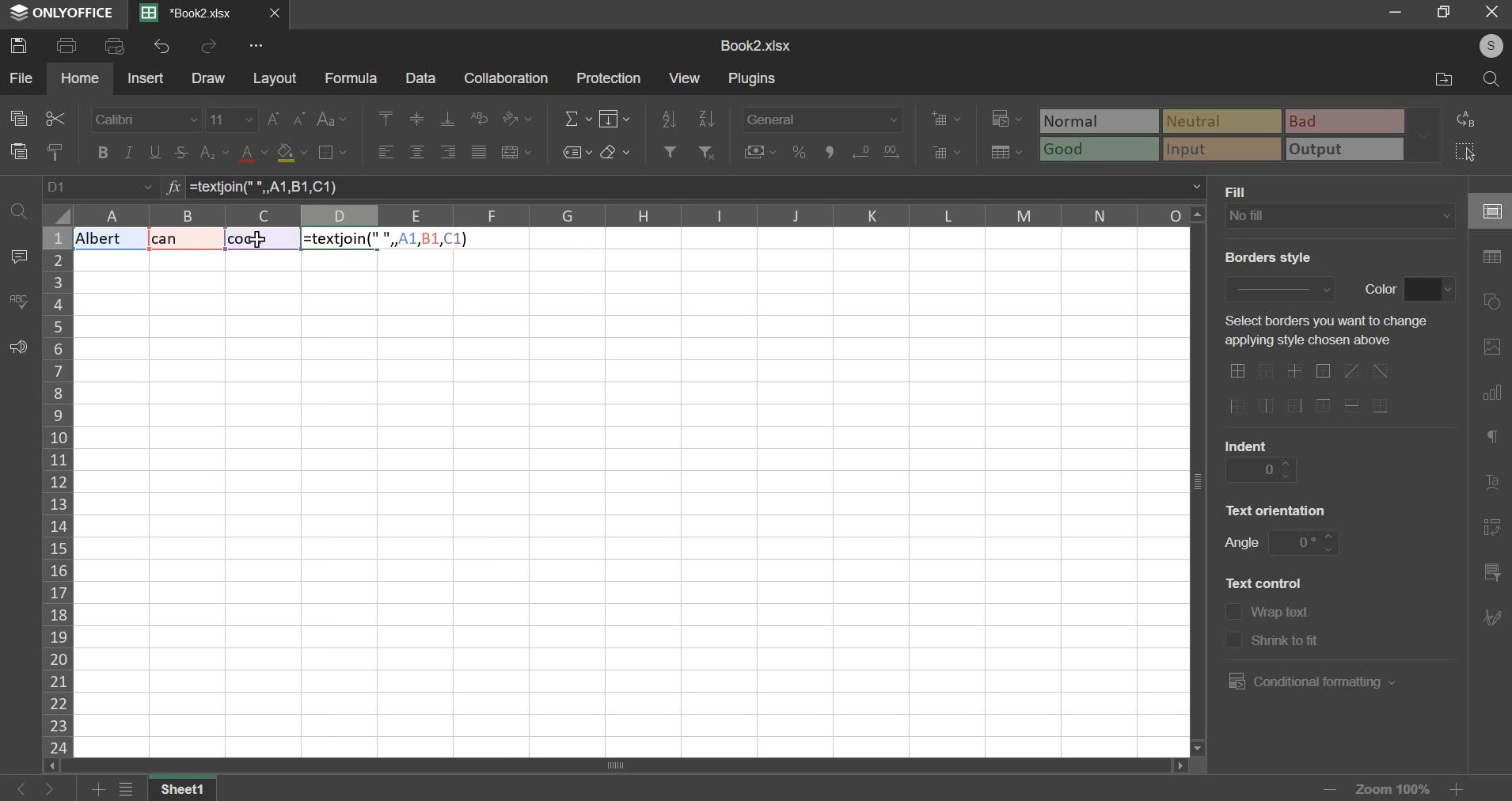  Describe the element at coordinates (214, 151) in the screenshot. I see `subscript & superscript` at that location.